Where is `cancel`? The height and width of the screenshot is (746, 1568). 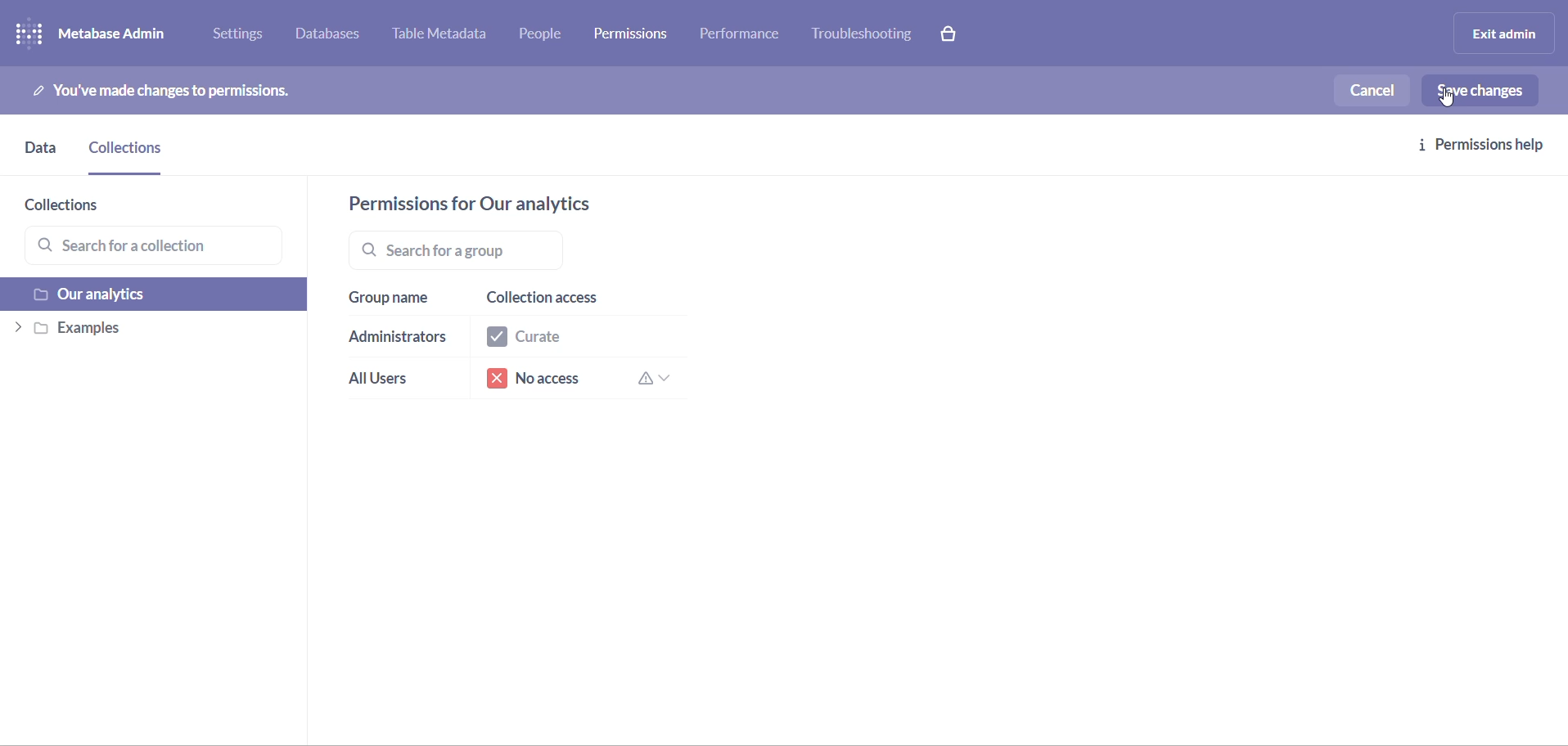 cancel is located at coordinates (1376, 88).